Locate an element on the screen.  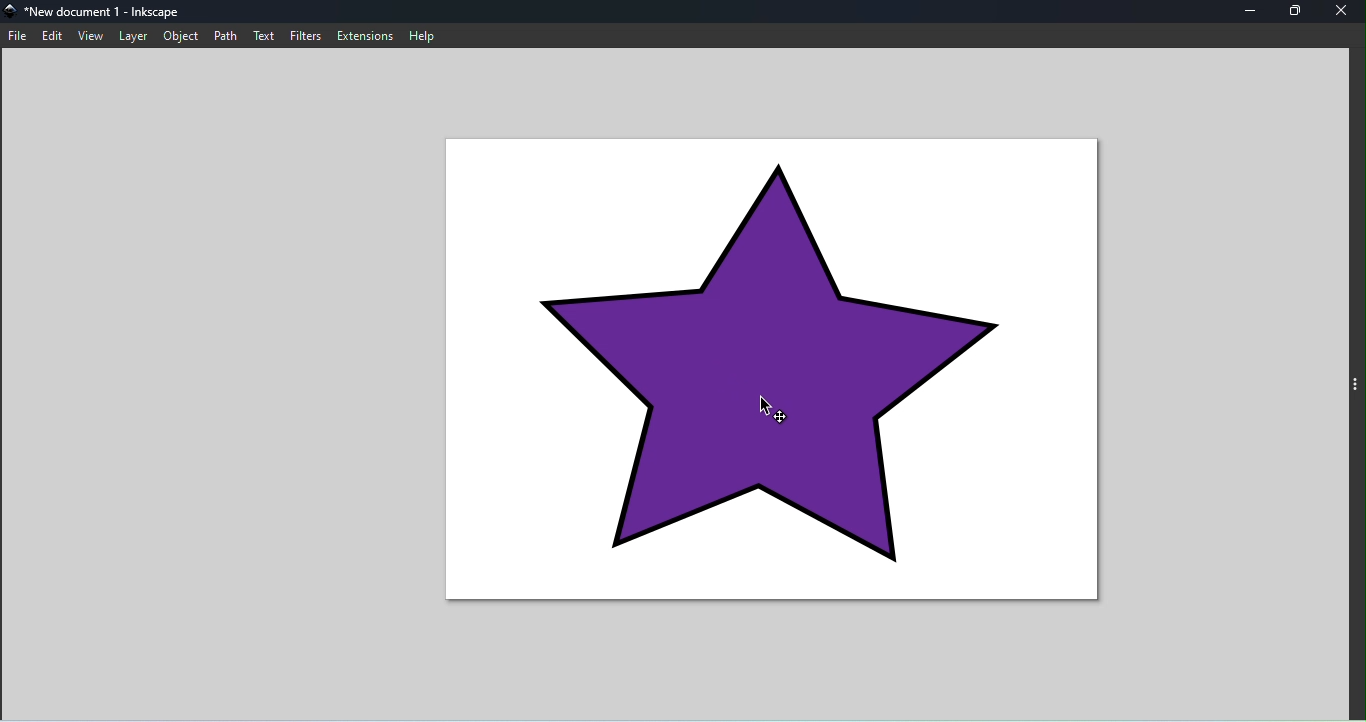
help is located at coordinates (422, 37).